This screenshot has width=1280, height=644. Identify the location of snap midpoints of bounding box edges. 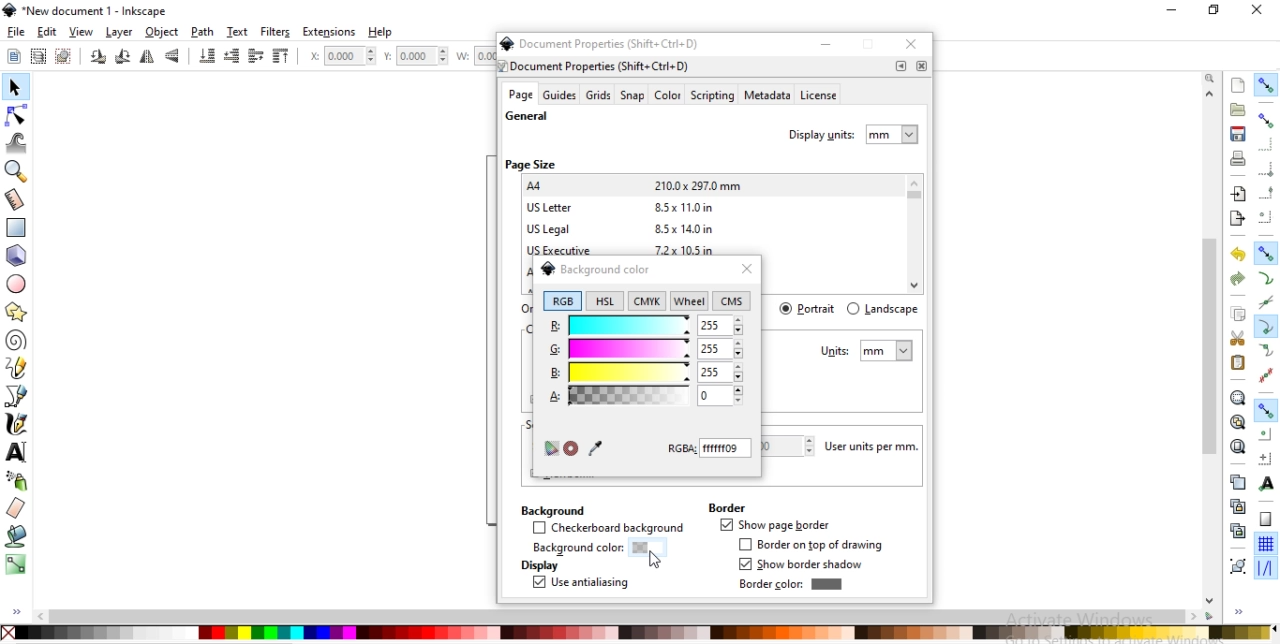
(1267, 193).